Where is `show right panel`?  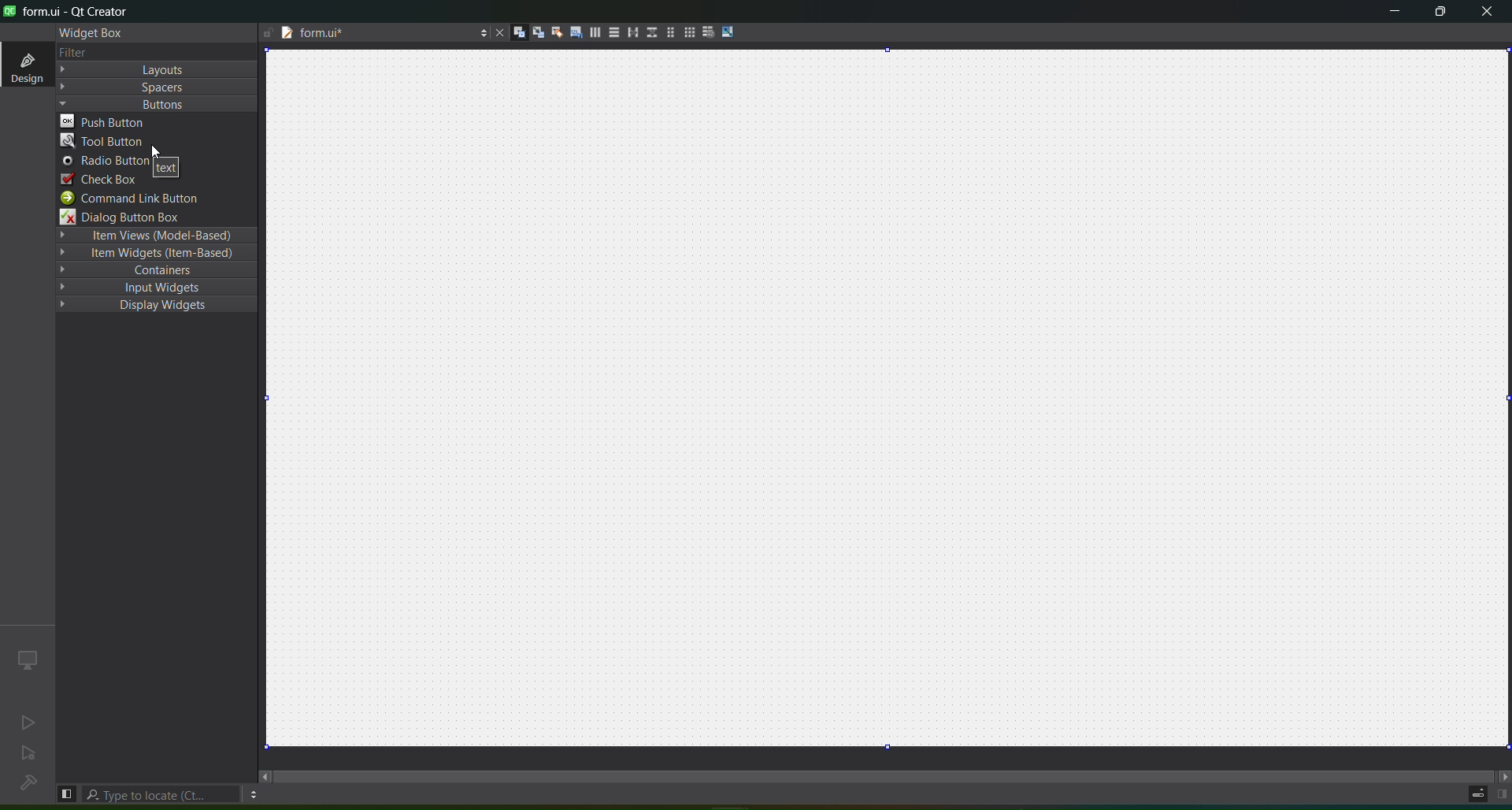
show right panel is located at coordinates (1502, 793).